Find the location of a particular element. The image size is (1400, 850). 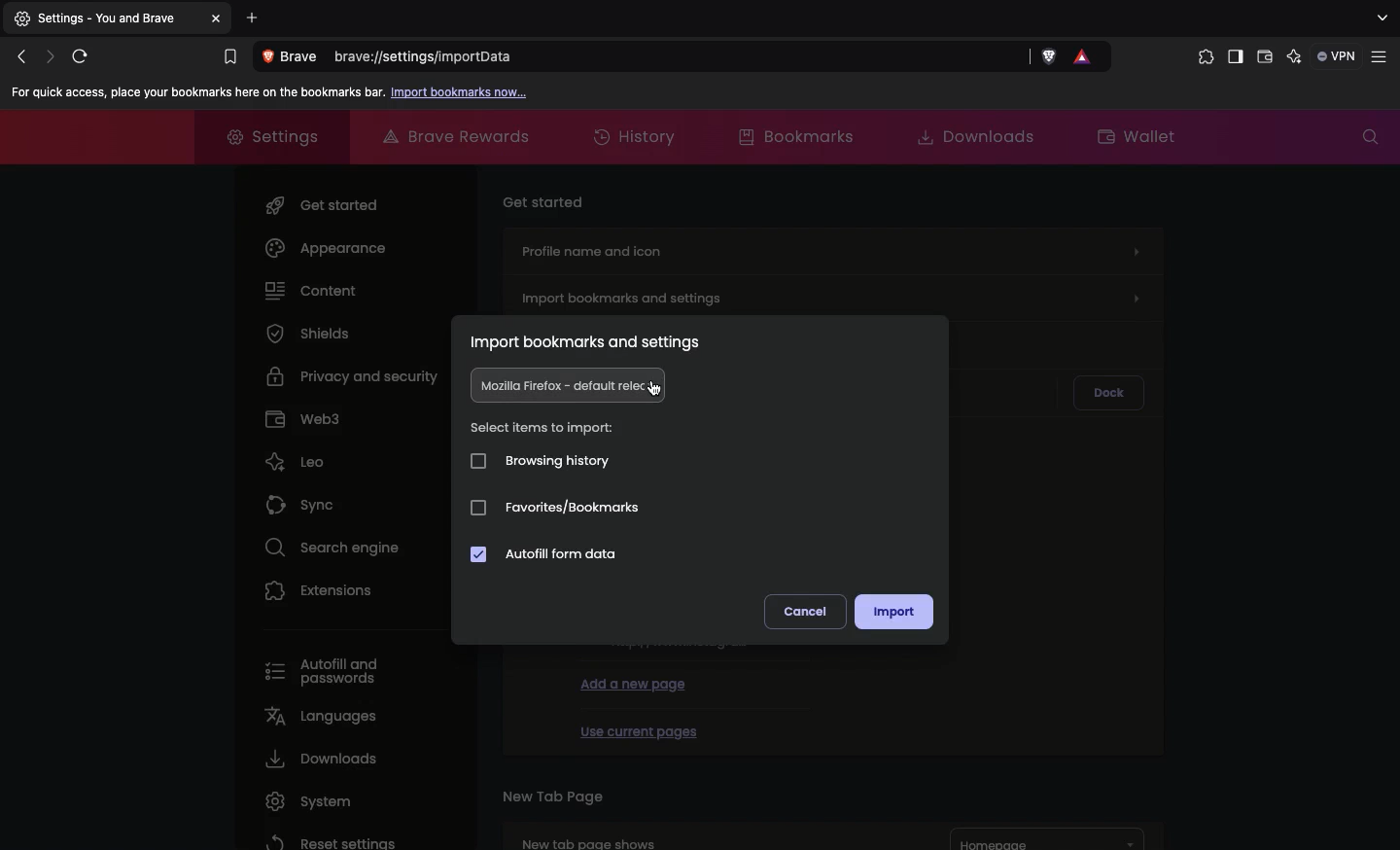

leo AI is located at coordinates (1294, 57).